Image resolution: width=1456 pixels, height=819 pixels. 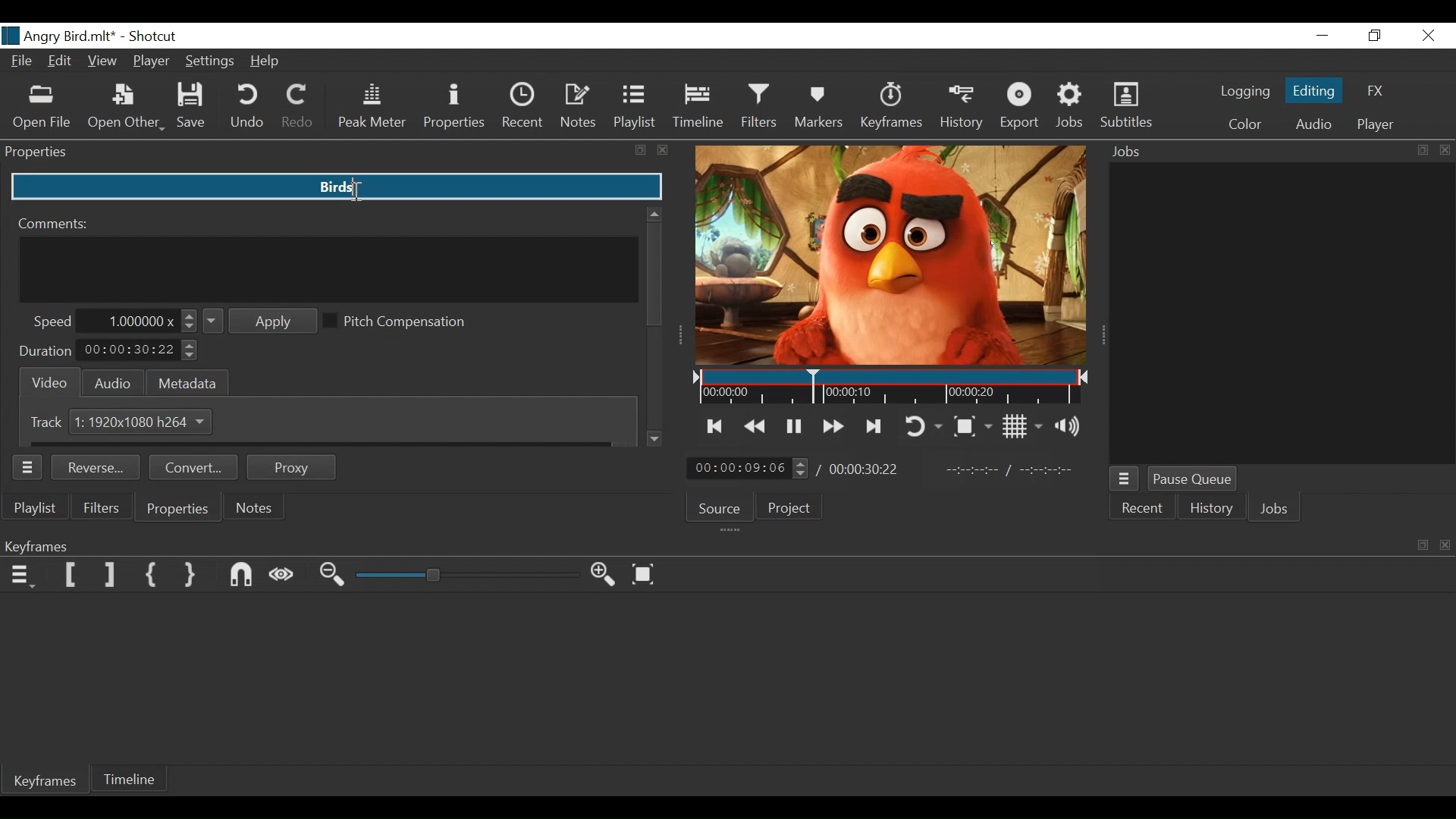 I want to click on Comment Field, so click(x=330, y=269).